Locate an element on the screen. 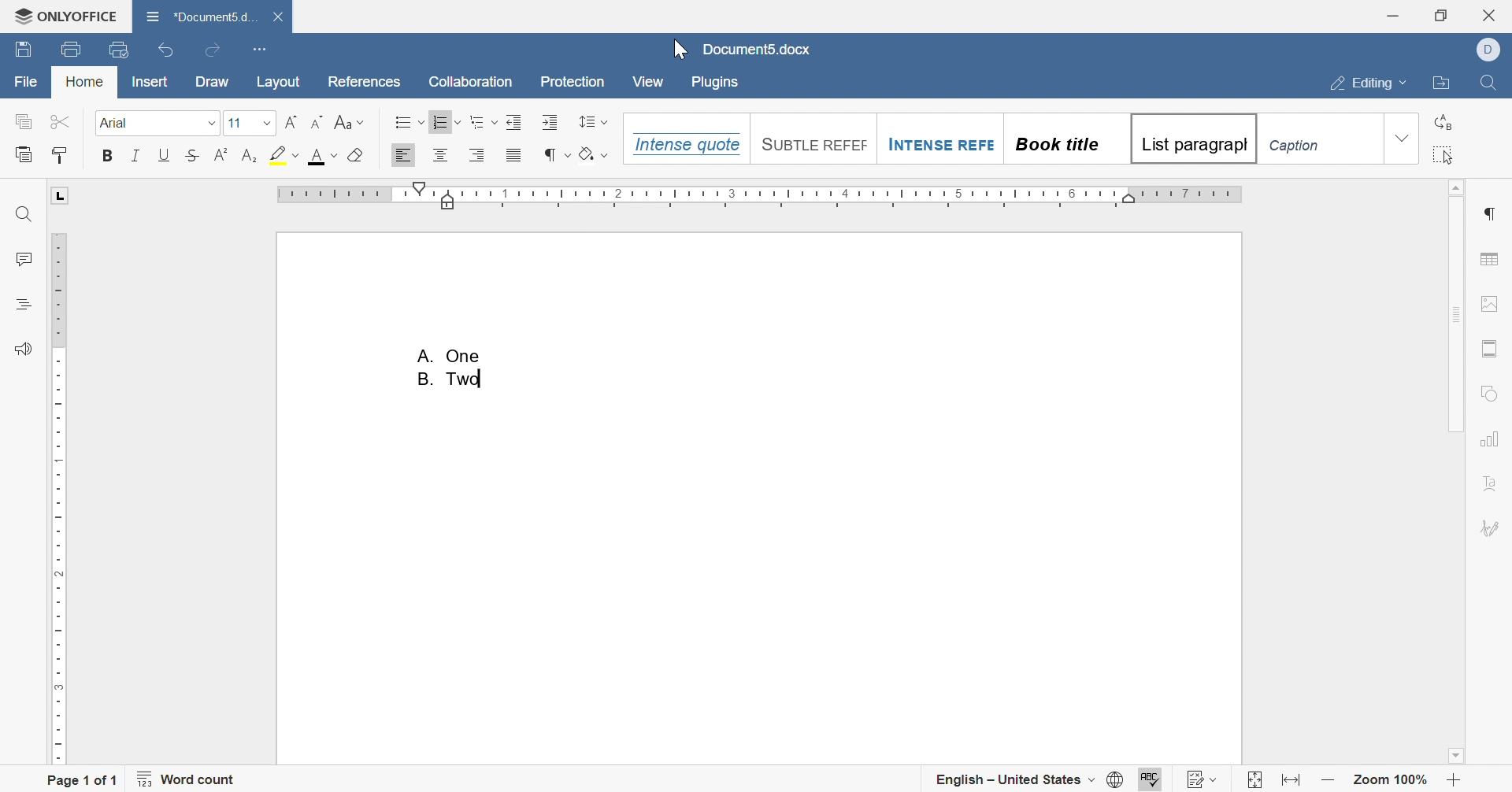 This screenshot has width=1512, height=792. Decrement font size is located at coordinates (317, 122).